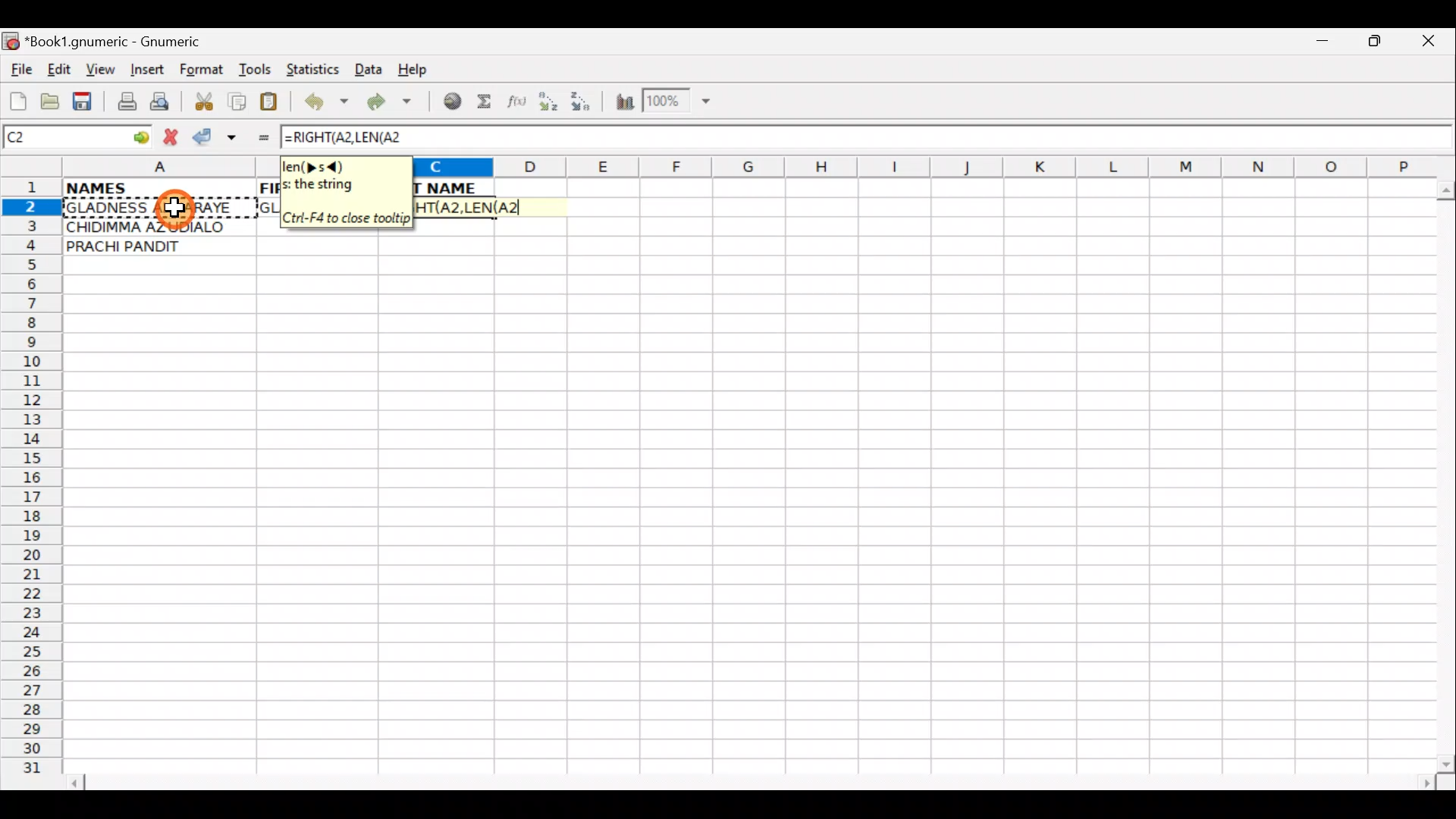 Image resolution: width=1456 pixels, height=819 pixels. What do you see at coordinates (86, 102) in the screenshot?
I see `Save current workbook` at bounding box center [86, 102].